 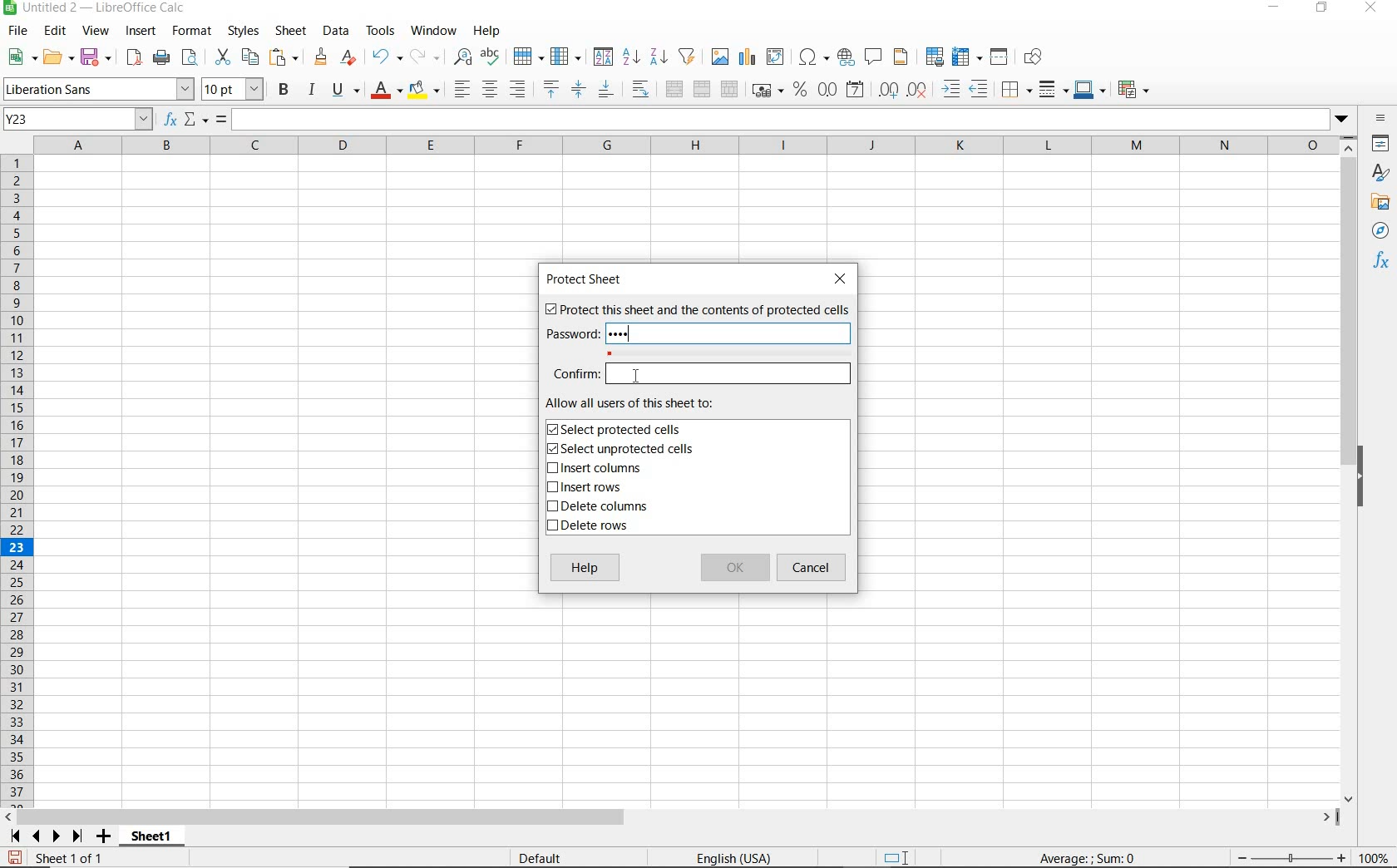 What do you see at coordinates (190, 30) in the screenshot?
I see `FORMAT` at bounding box center [190, 30].